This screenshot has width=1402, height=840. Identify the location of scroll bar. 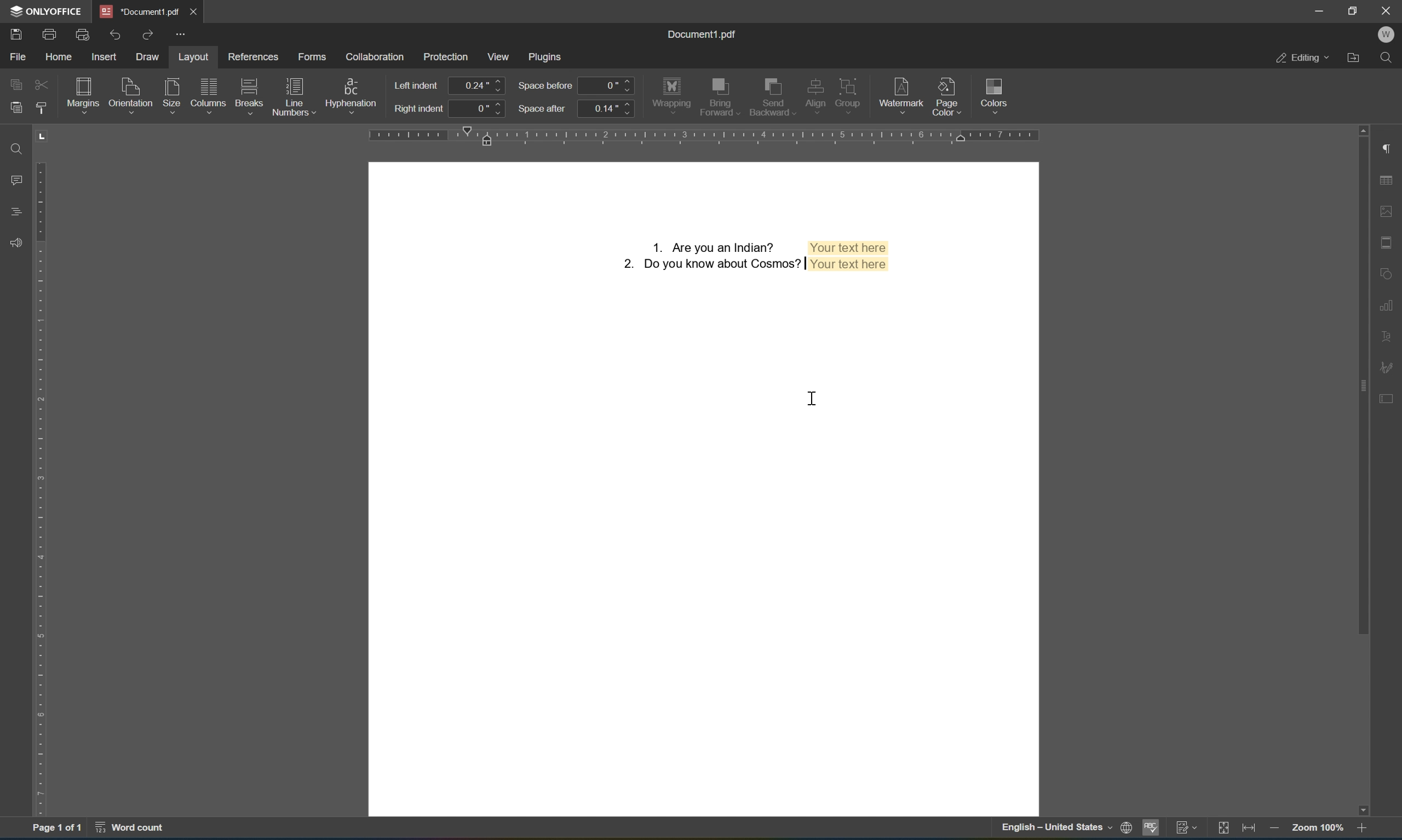
(1365, 380).